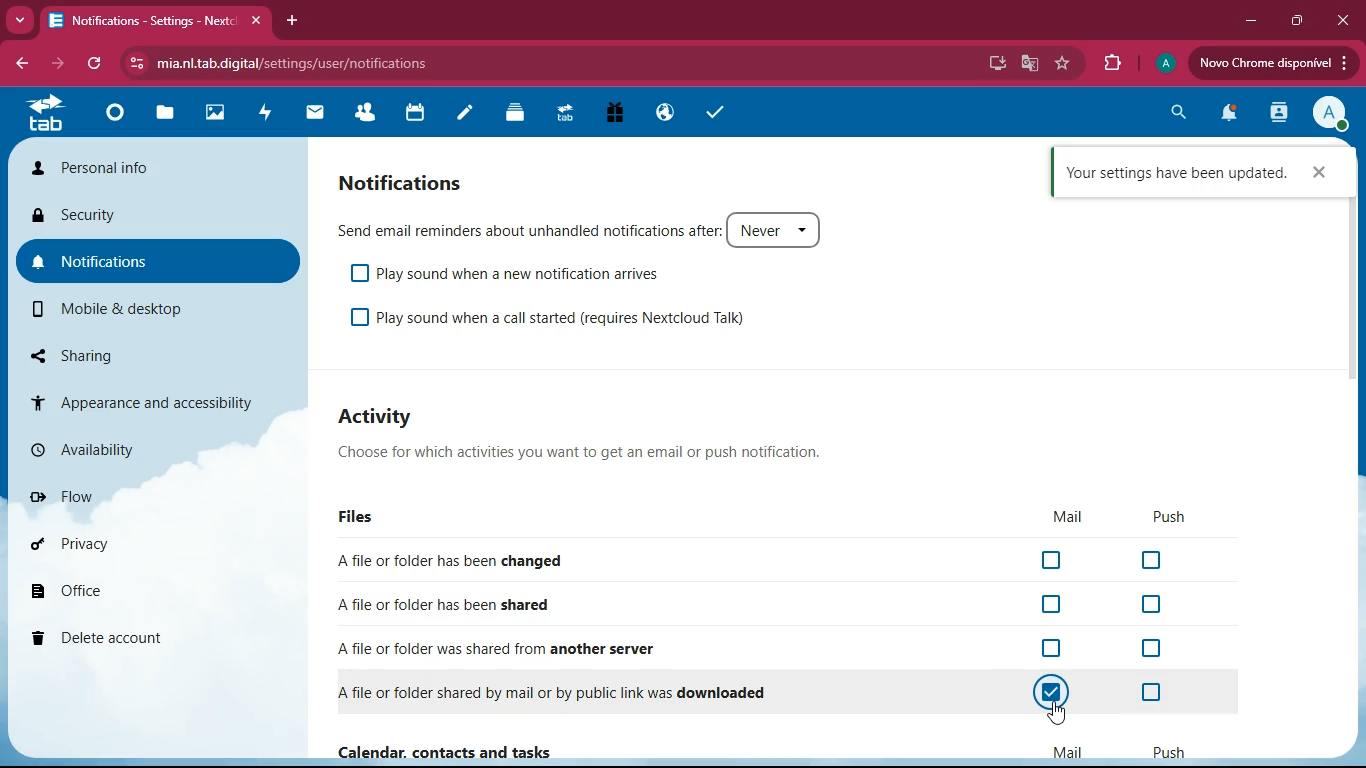  Describe the element at coordinates (1107, 64) in the screenshot. I see `extension` at that location.